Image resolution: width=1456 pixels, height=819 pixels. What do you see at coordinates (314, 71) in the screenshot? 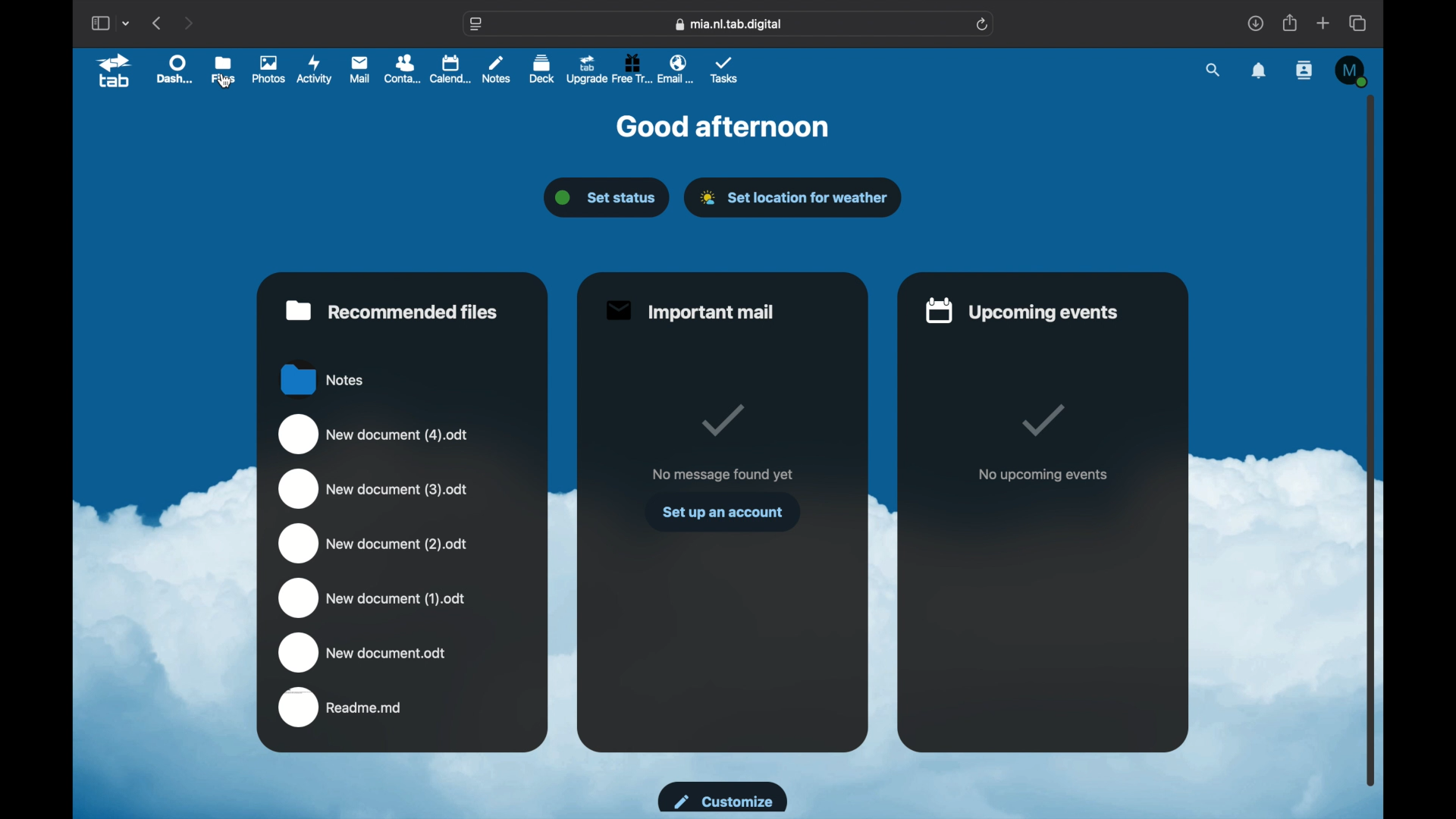
I see `activity` at bounding box center [314, 71].